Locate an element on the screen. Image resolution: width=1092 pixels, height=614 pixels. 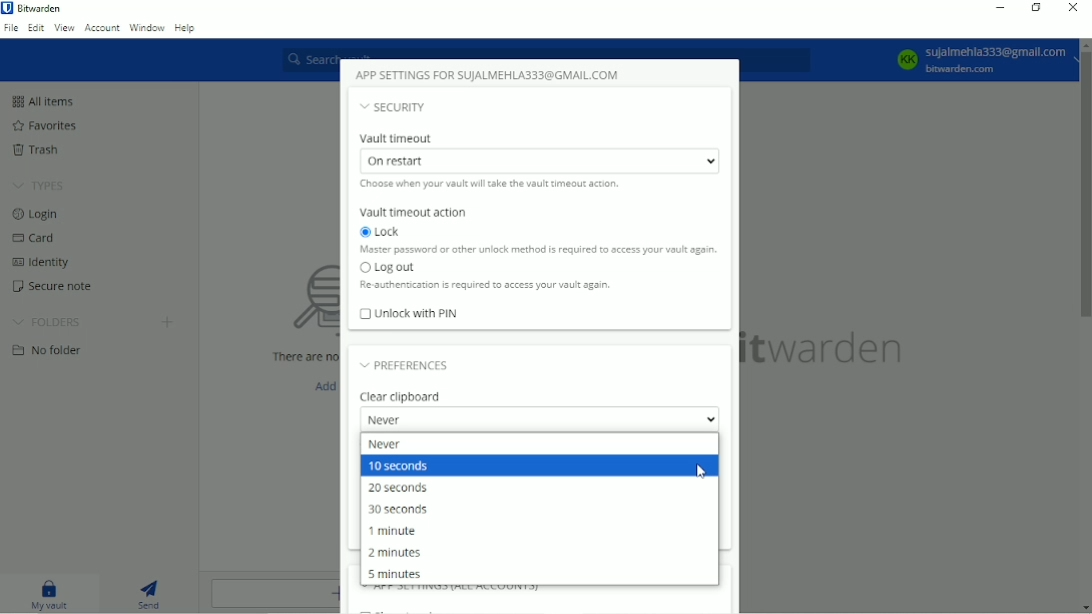
 Choose when your vault will take the vault timeout action. is located at coordinates (487, 184).